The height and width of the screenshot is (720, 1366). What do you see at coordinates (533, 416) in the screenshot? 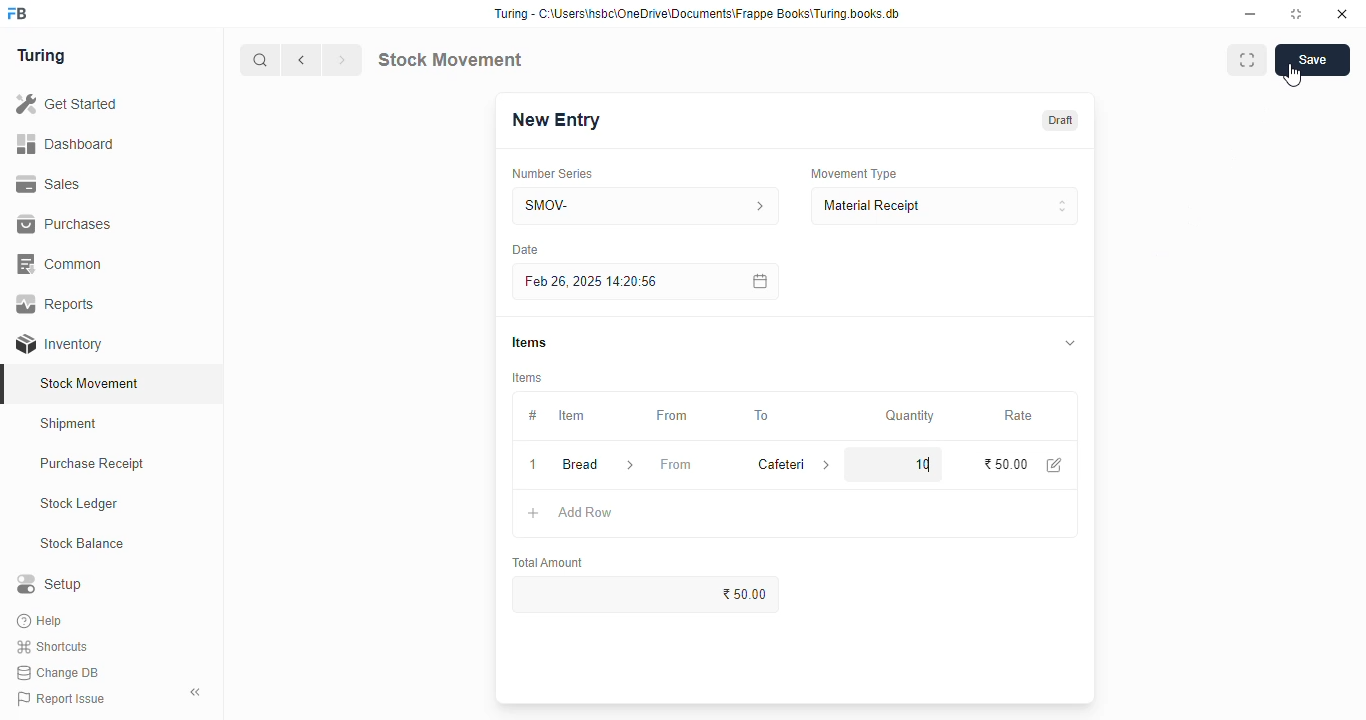
I see `#` at bounding box center [533, 416].